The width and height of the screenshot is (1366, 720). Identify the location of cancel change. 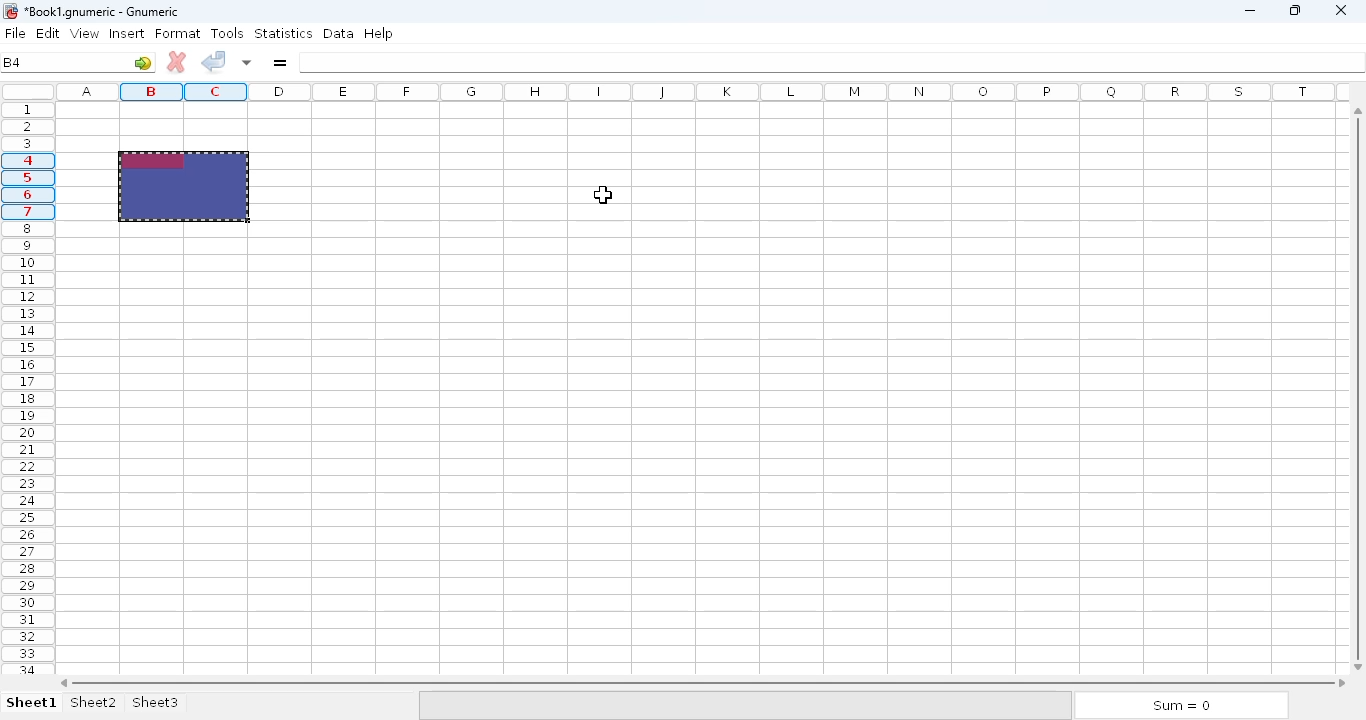
(176, 62).